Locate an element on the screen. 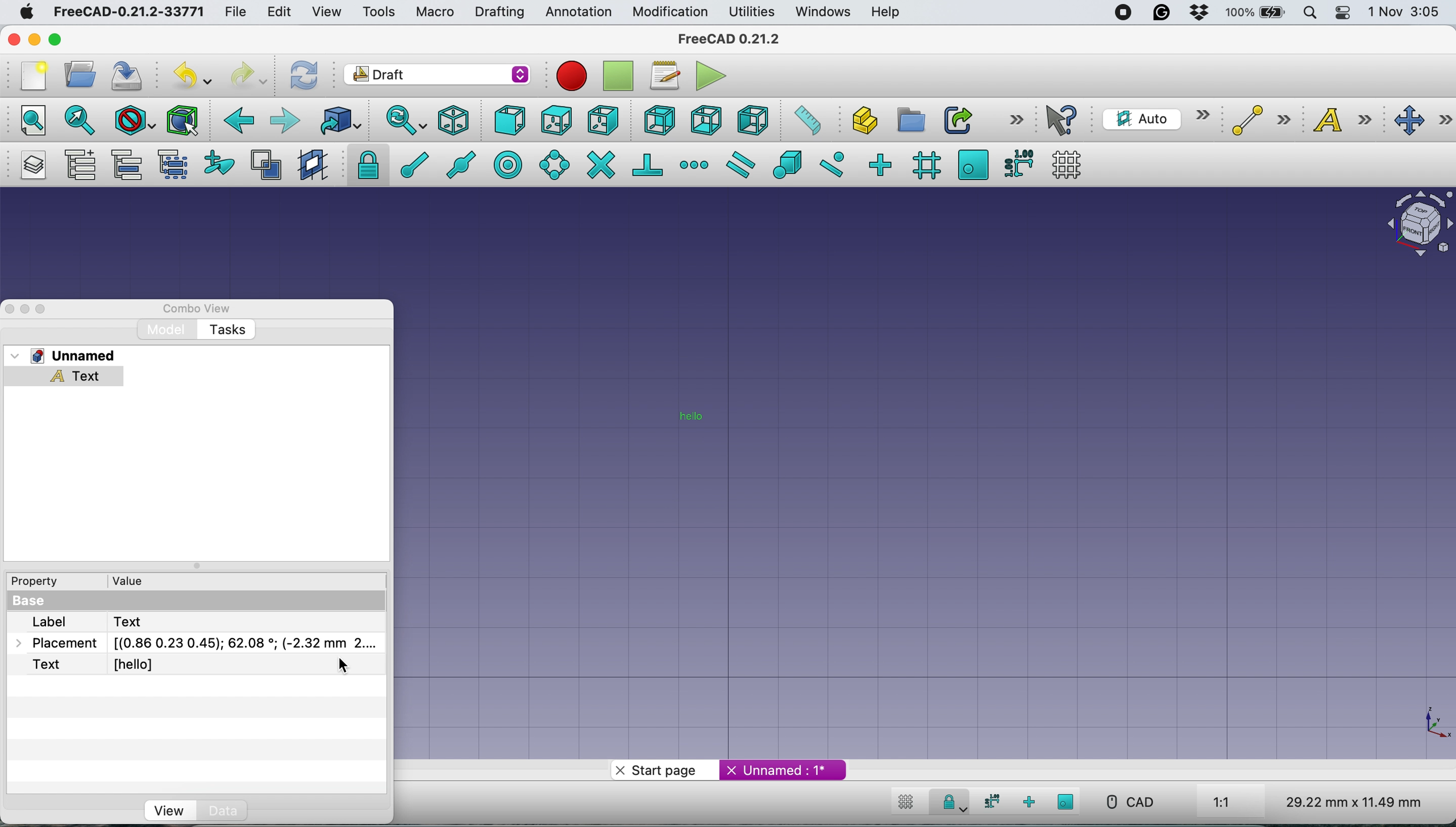  snap midway is located at coordinates (457, 166).